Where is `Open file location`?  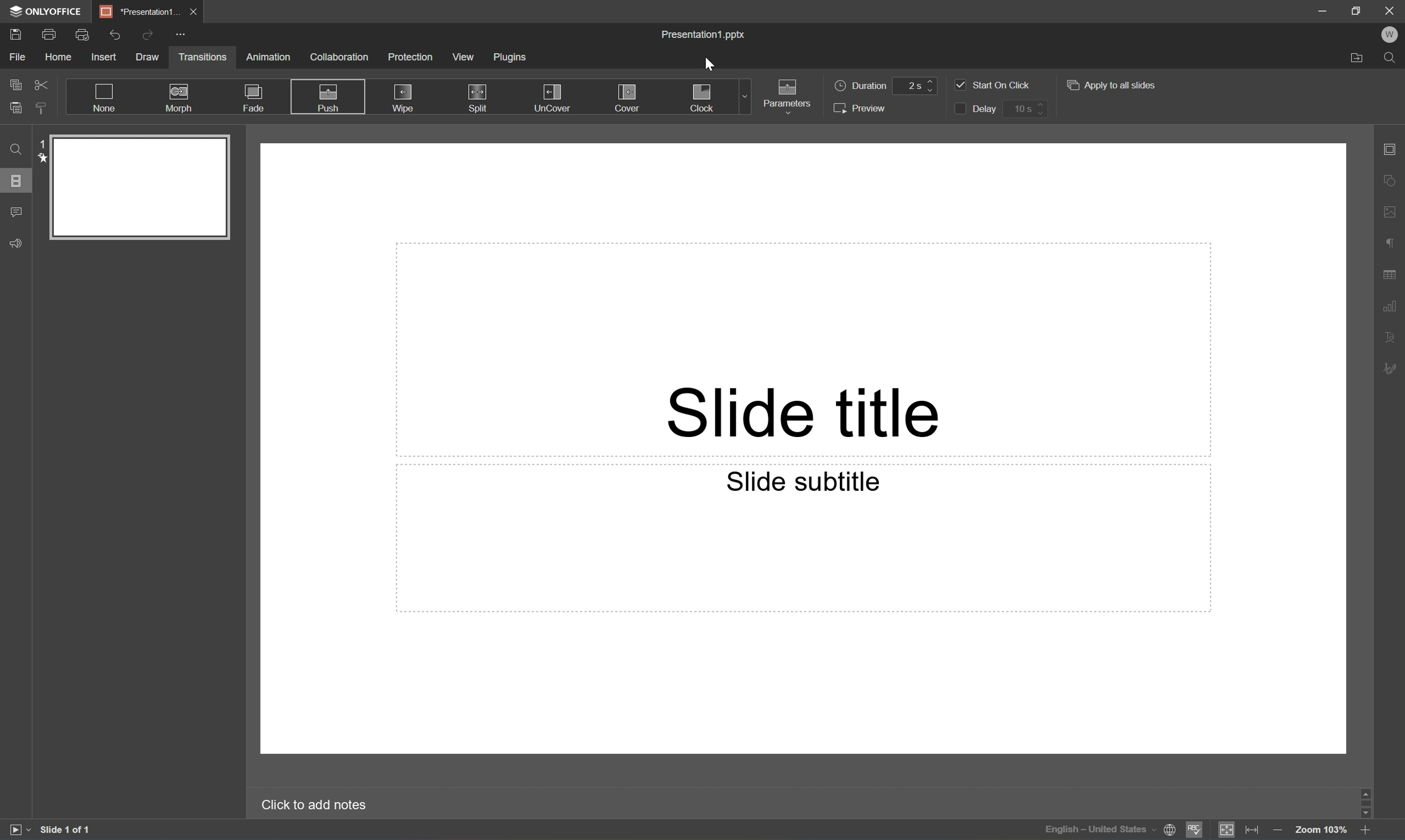
Open file location is located at coordinates (1357, 58).